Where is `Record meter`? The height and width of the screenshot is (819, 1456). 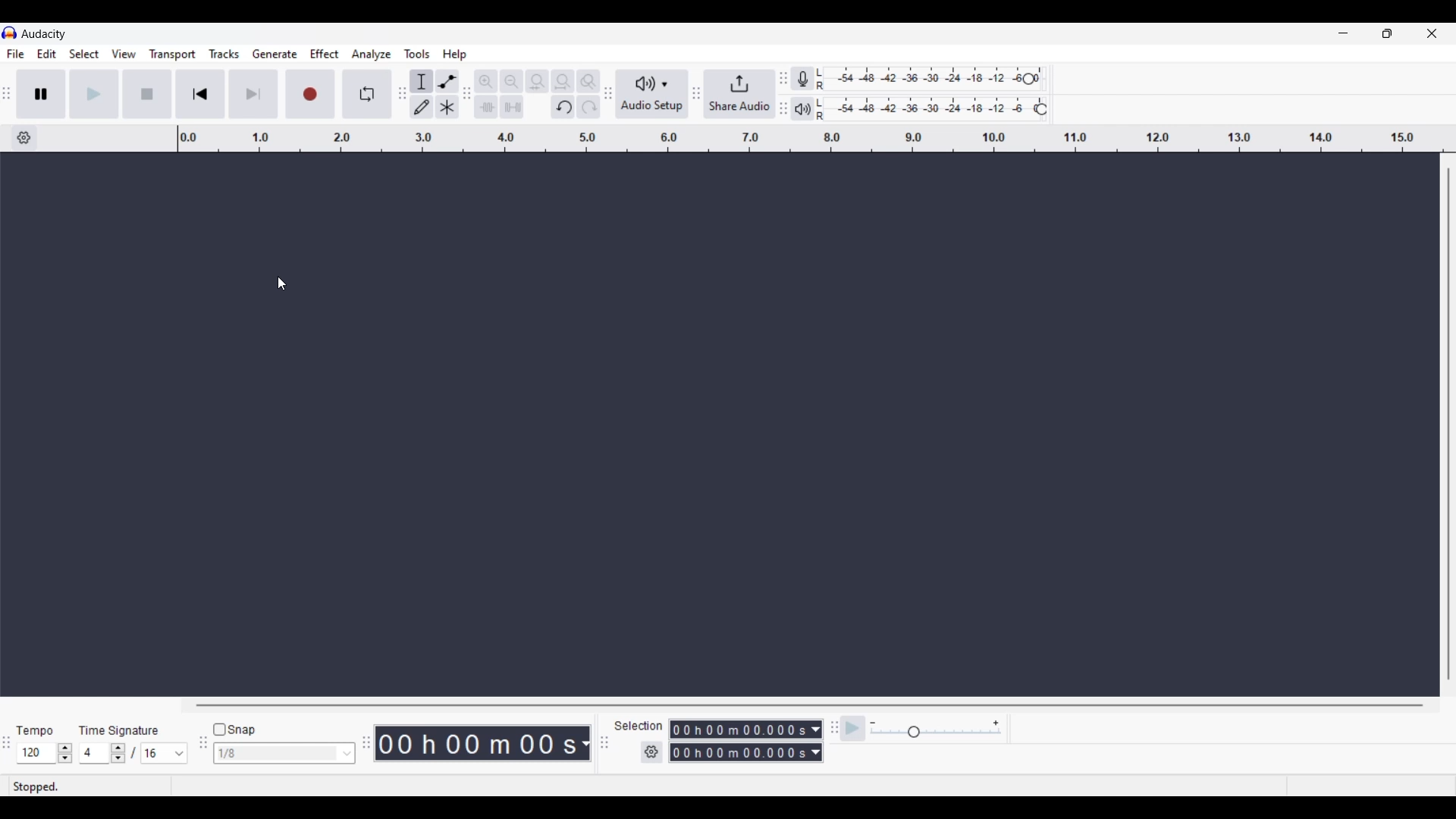 Record meter is located at coordinates (803, 79).